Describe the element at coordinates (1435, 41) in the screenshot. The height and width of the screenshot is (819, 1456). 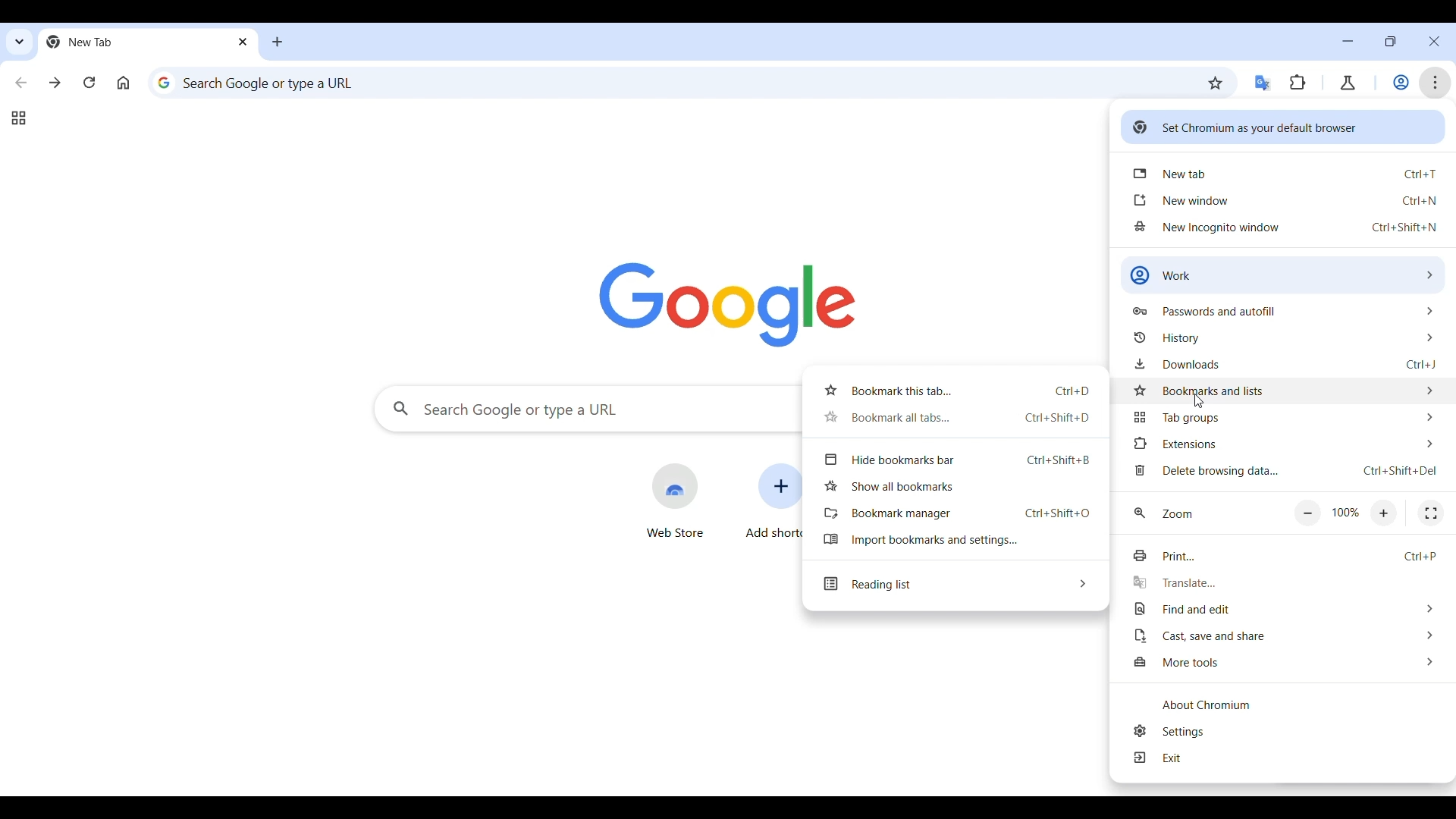
I see `Close interface` at that location.